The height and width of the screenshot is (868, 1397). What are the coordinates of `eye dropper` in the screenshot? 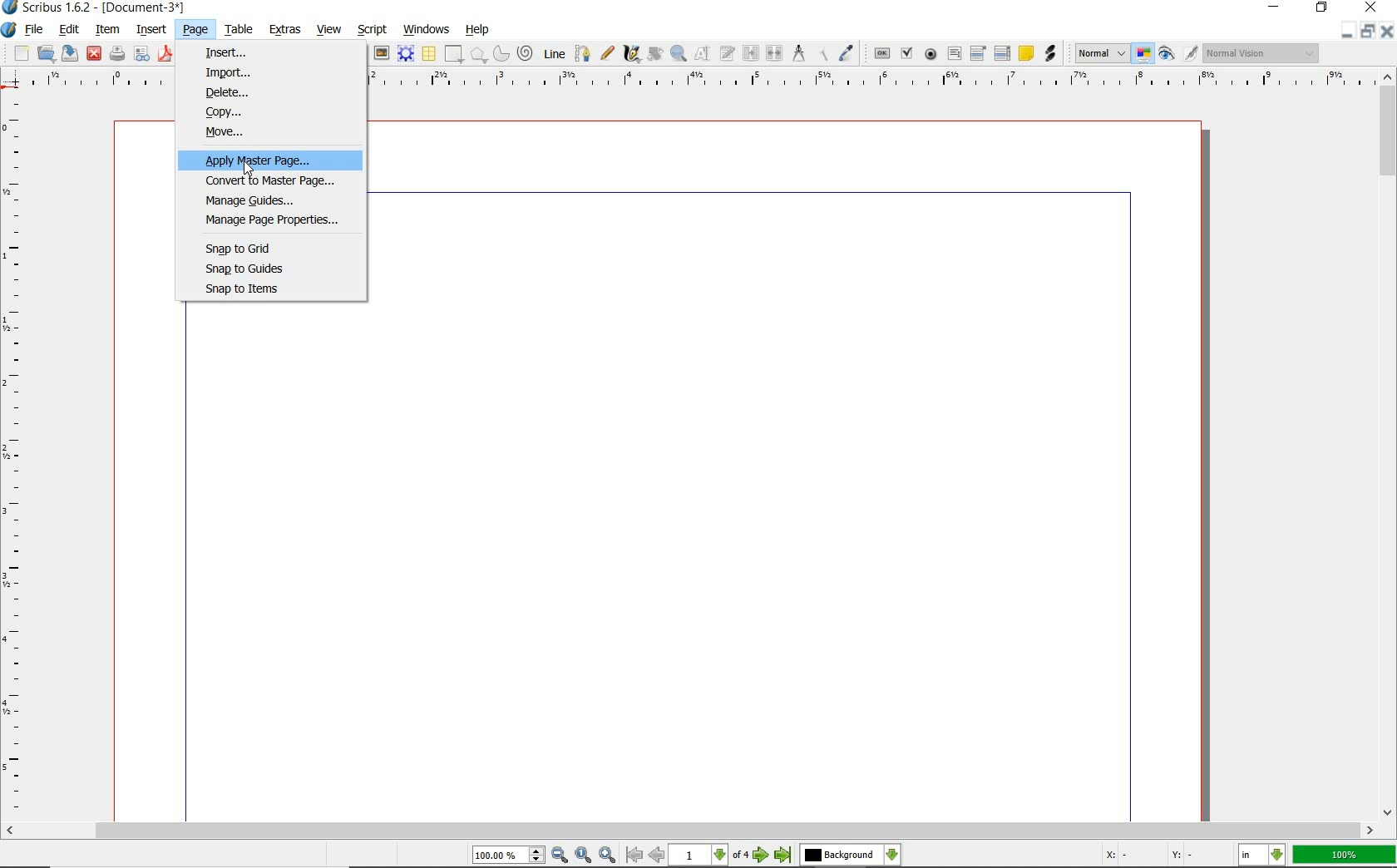 It's located at (846, 54).